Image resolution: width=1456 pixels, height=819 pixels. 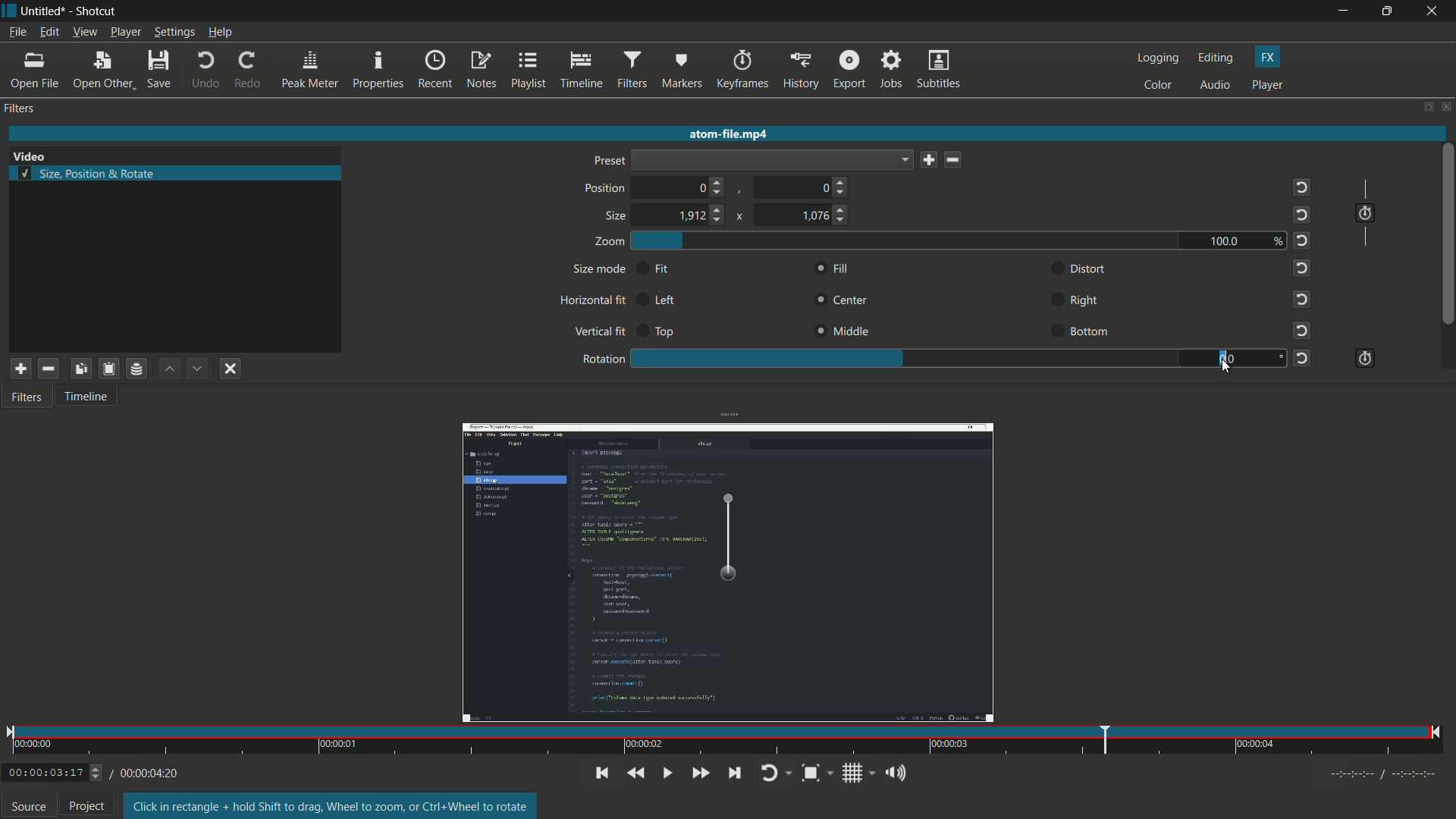 I want to click on use keyframes for this parameter, so click(x=1368, y=214).